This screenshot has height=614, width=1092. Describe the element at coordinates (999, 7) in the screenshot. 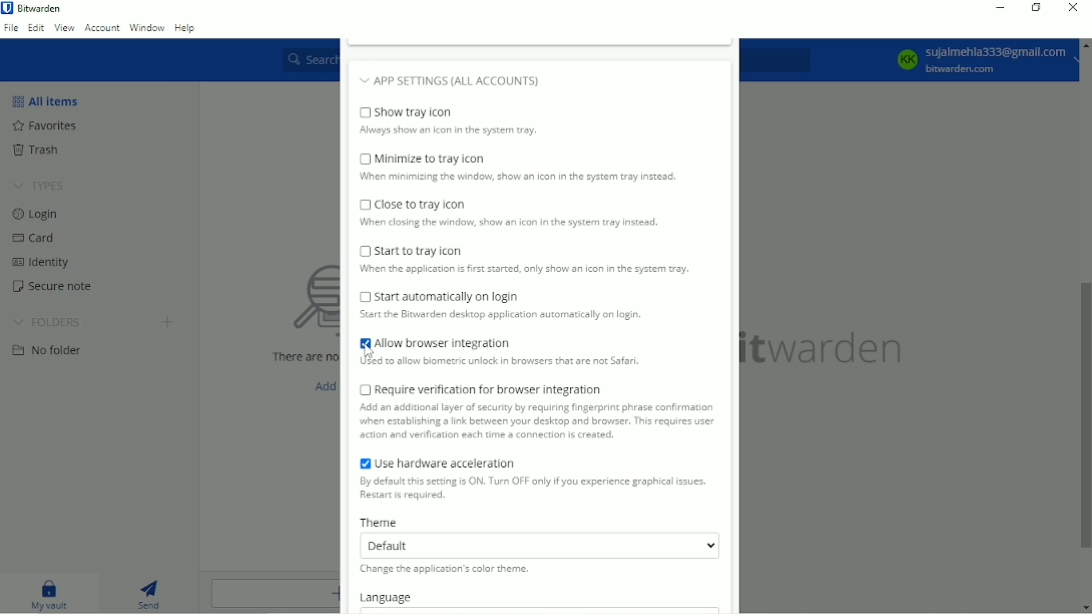

I see `Minimize` at that location.